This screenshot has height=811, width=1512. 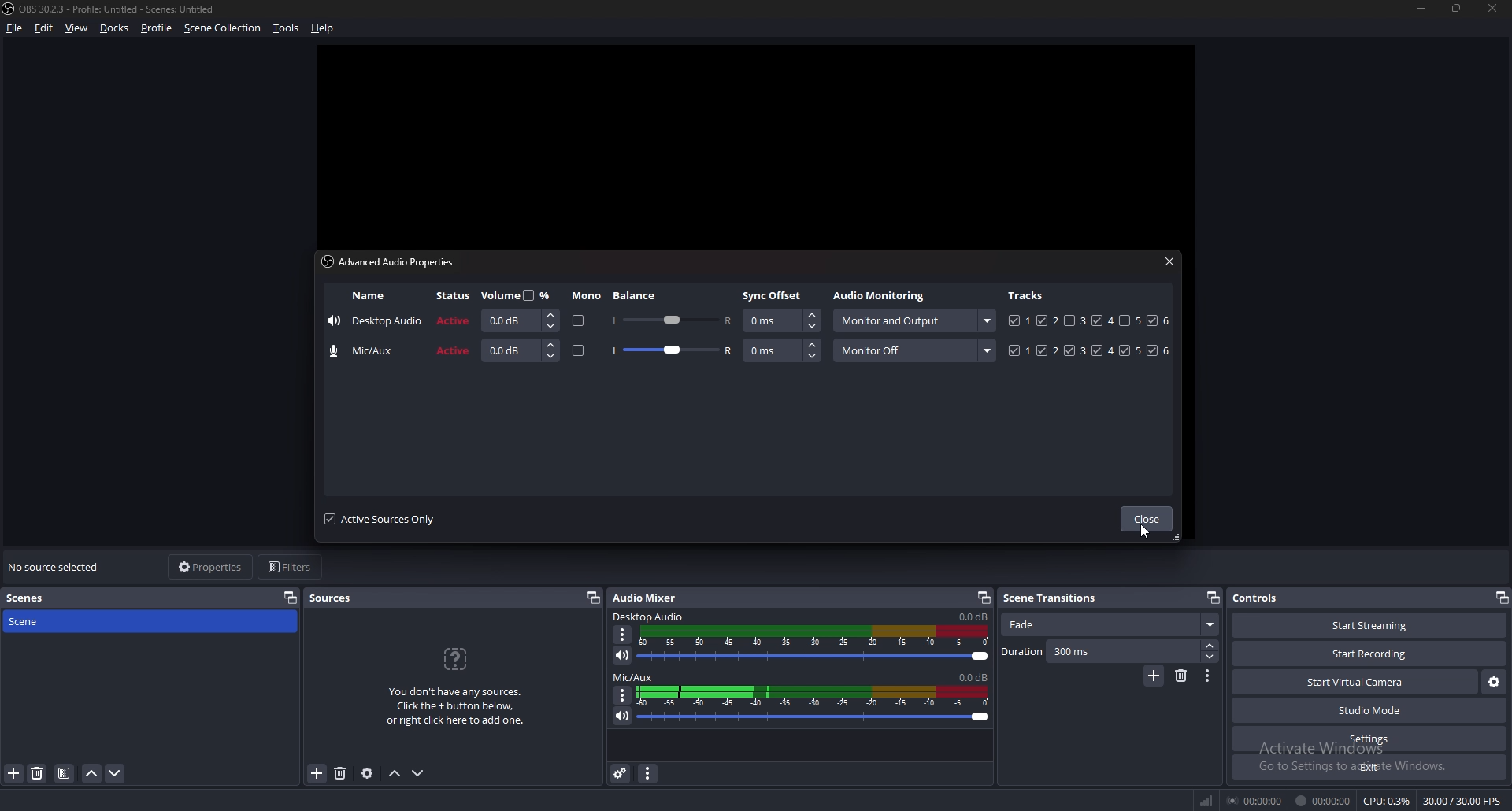 I want to click on active, so click(x=454, y=352).